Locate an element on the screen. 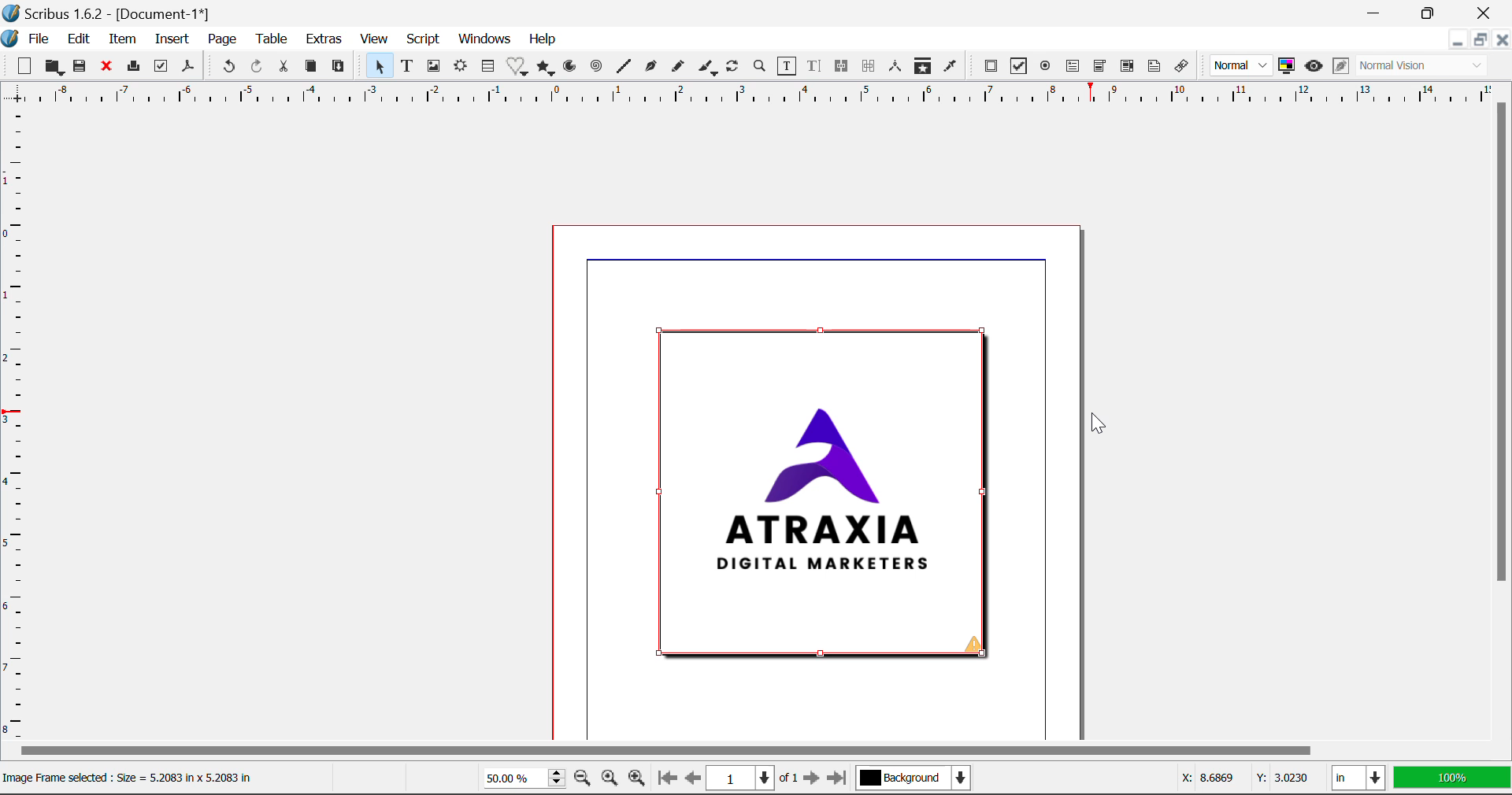 The height and width of the screenshot is (795, 1512). Eyedropper is located at coordinates (950, 68).